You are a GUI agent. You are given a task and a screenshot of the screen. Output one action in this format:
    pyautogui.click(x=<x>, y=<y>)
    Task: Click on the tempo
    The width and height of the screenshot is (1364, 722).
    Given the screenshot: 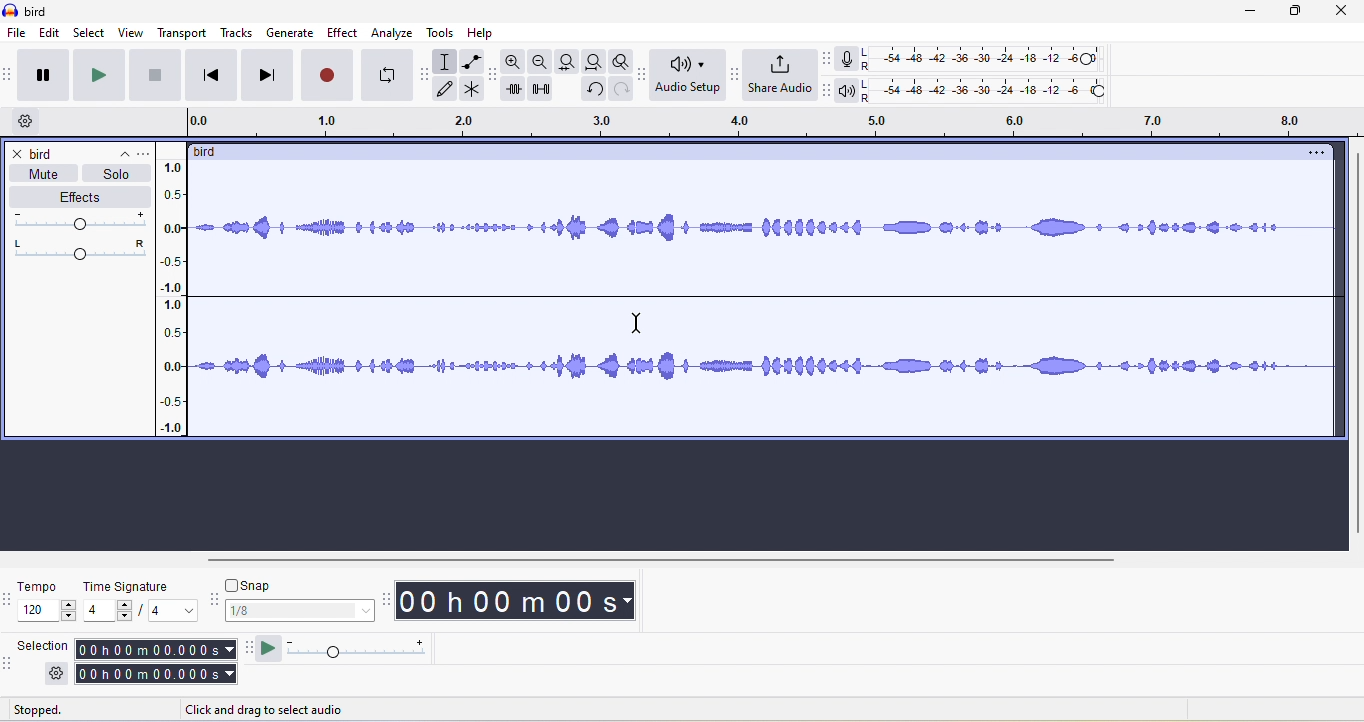 What is the action you would take?
    pyautogui.click(x=47, y=603)
    